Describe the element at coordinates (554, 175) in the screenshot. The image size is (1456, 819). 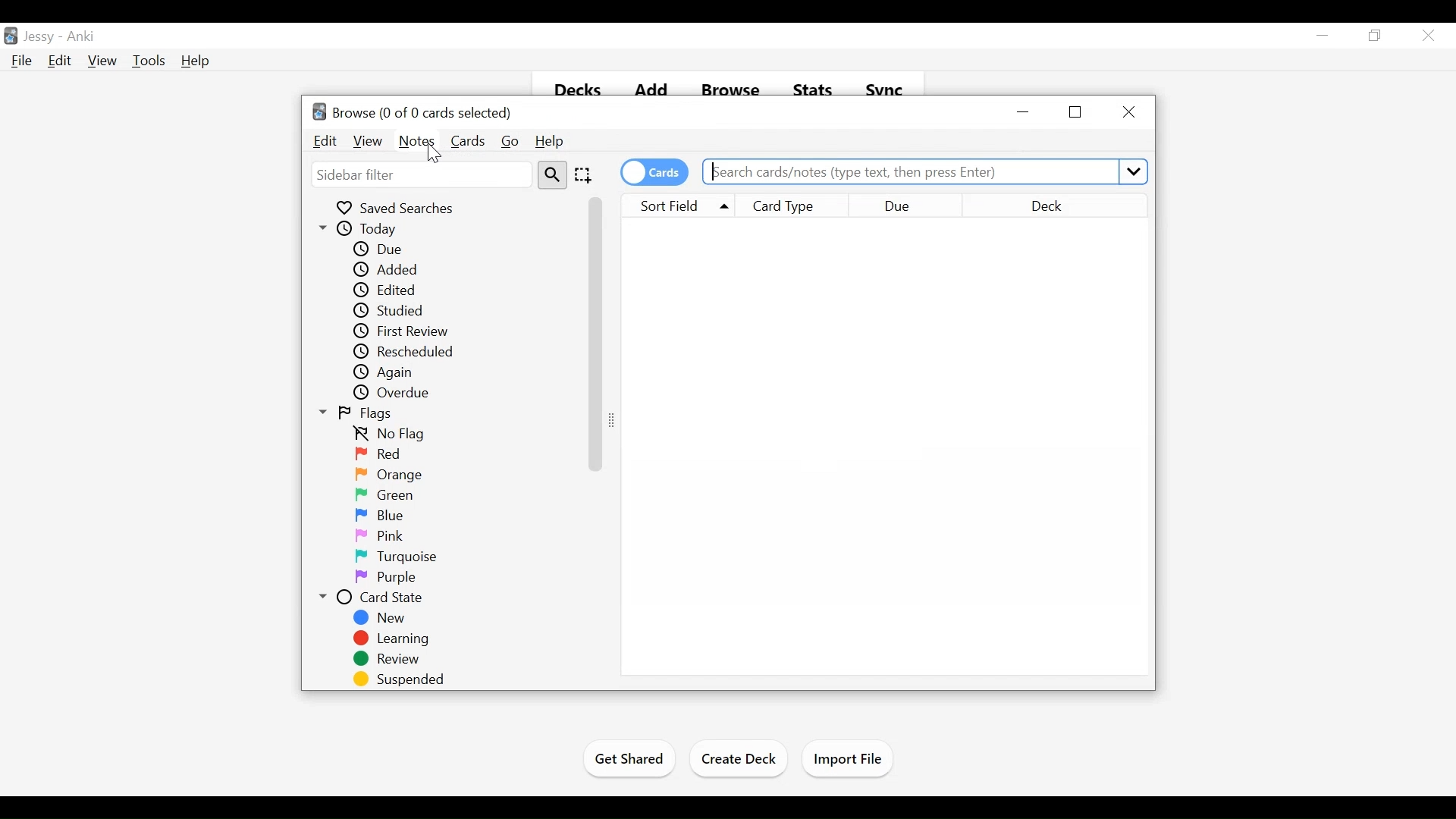
I see `Search Tool` at that location.